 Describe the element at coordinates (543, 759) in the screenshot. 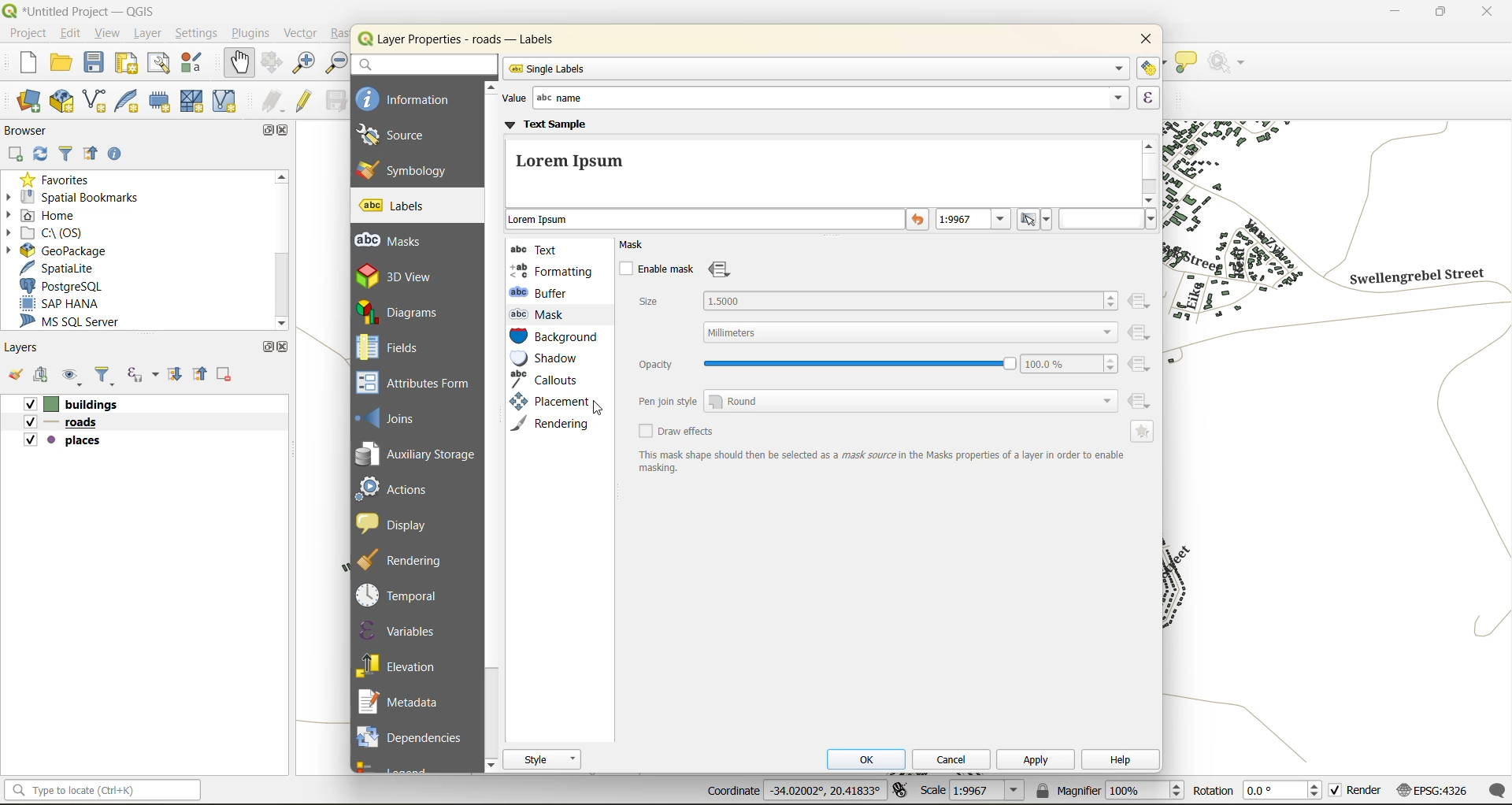

I see `style` at that location.